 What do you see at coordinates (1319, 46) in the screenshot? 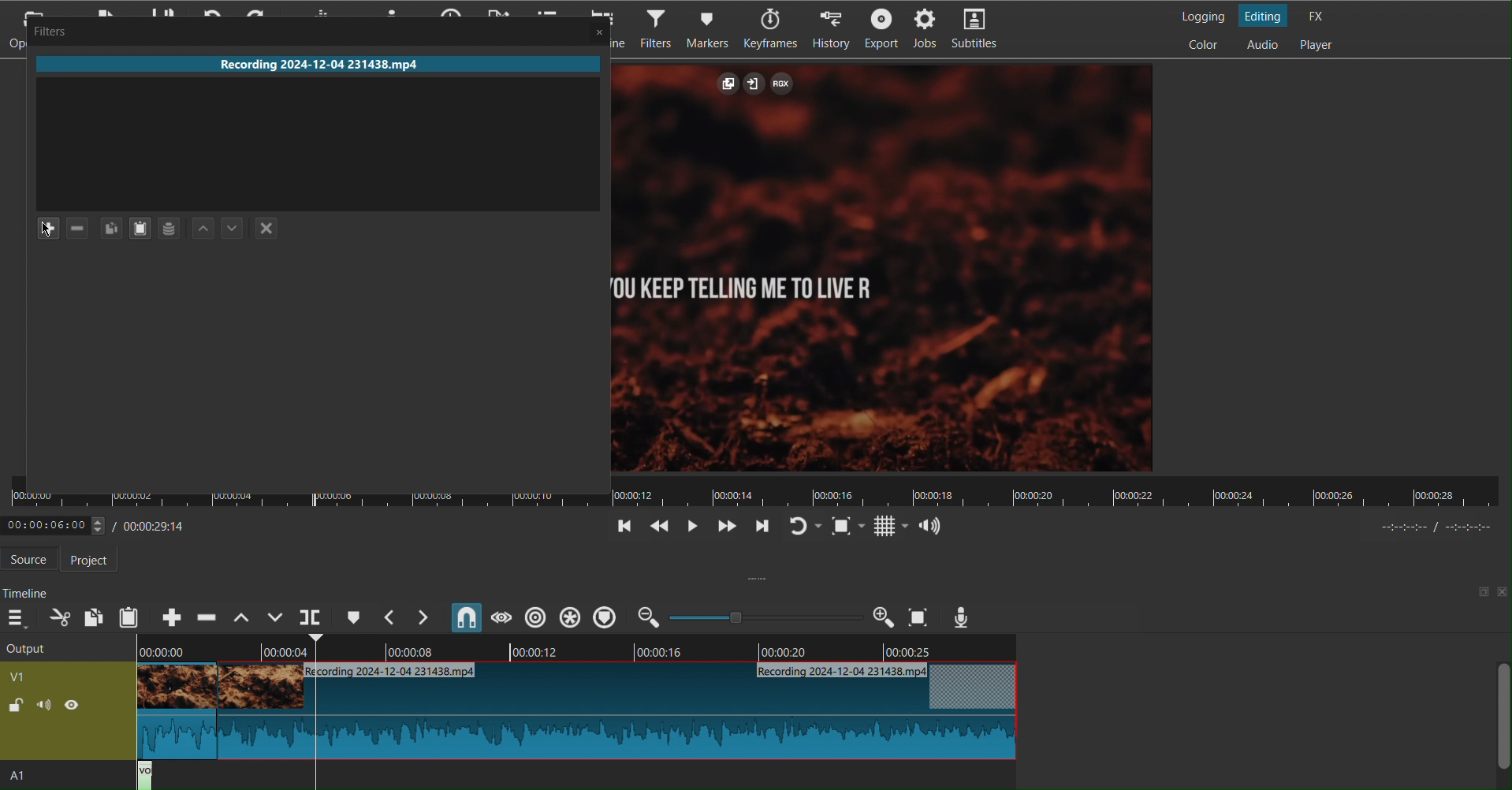
I see `Player` at bounding box center [1319, 46].